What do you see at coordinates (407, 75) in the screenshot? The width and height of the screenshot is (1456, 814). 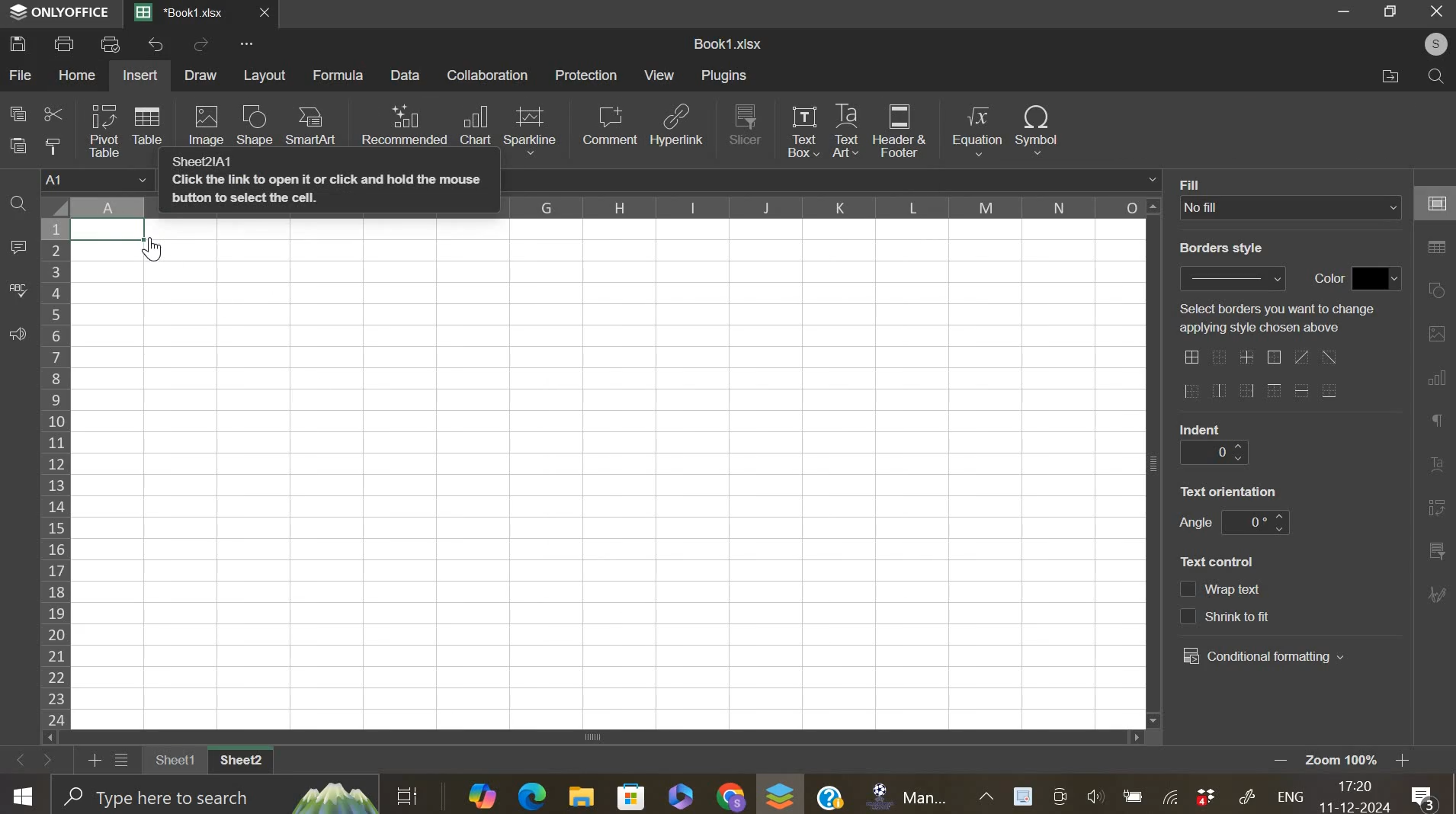 I see `data` at bounding box center [407, 75].